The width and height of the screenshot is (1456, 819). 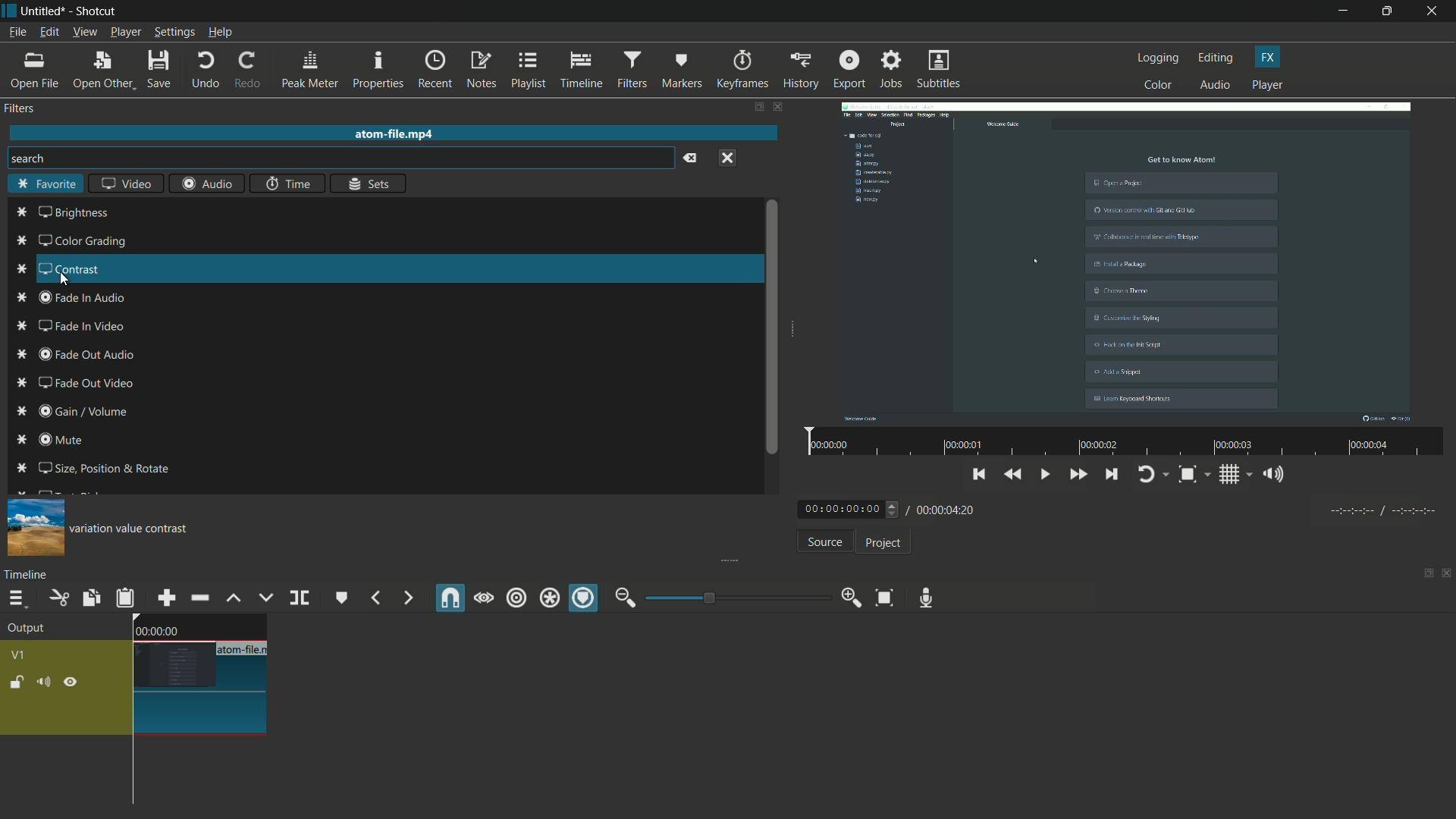 What do you see at coordinates (884, 597) in the screenshot?
I see `zoom timeline to fit` at bounding box center [884, 597].